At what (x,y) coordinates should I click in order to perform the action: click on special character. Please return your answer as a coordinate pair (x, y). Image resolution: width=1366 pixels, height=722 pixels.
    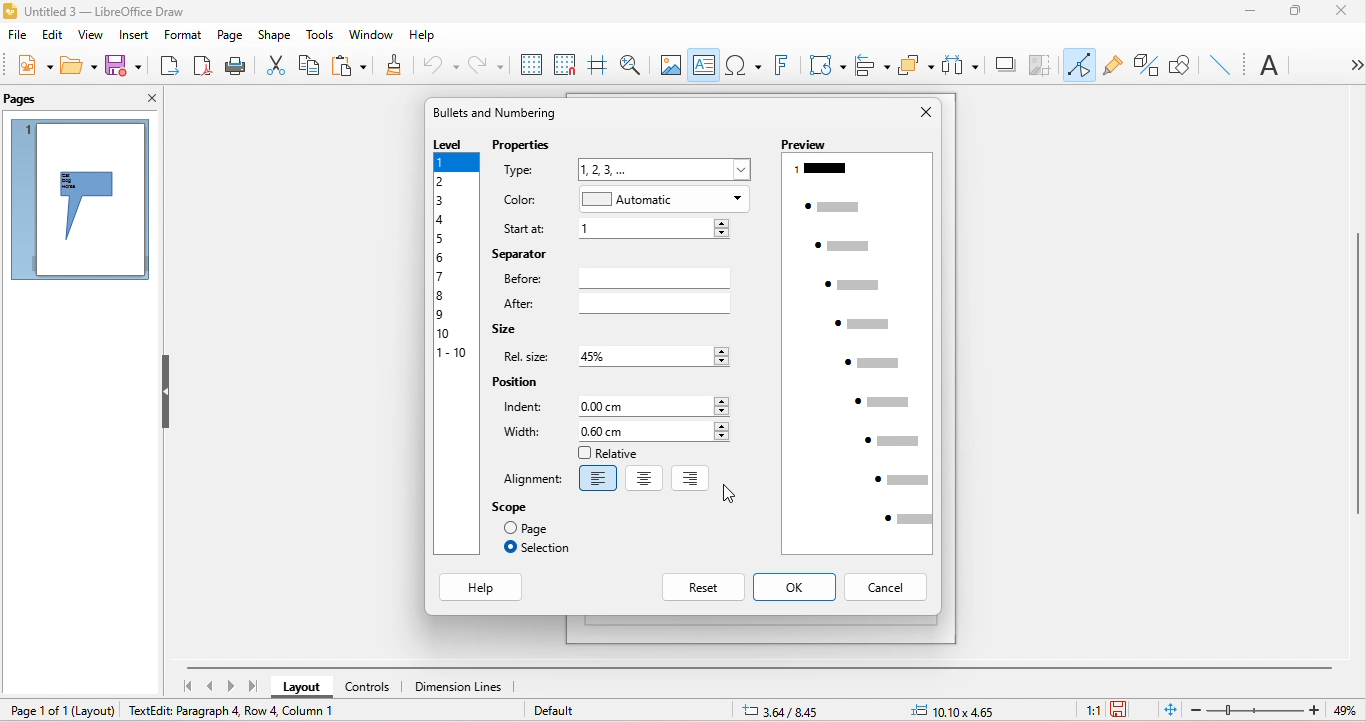
    Looking at the image, I should click on (743, 64).